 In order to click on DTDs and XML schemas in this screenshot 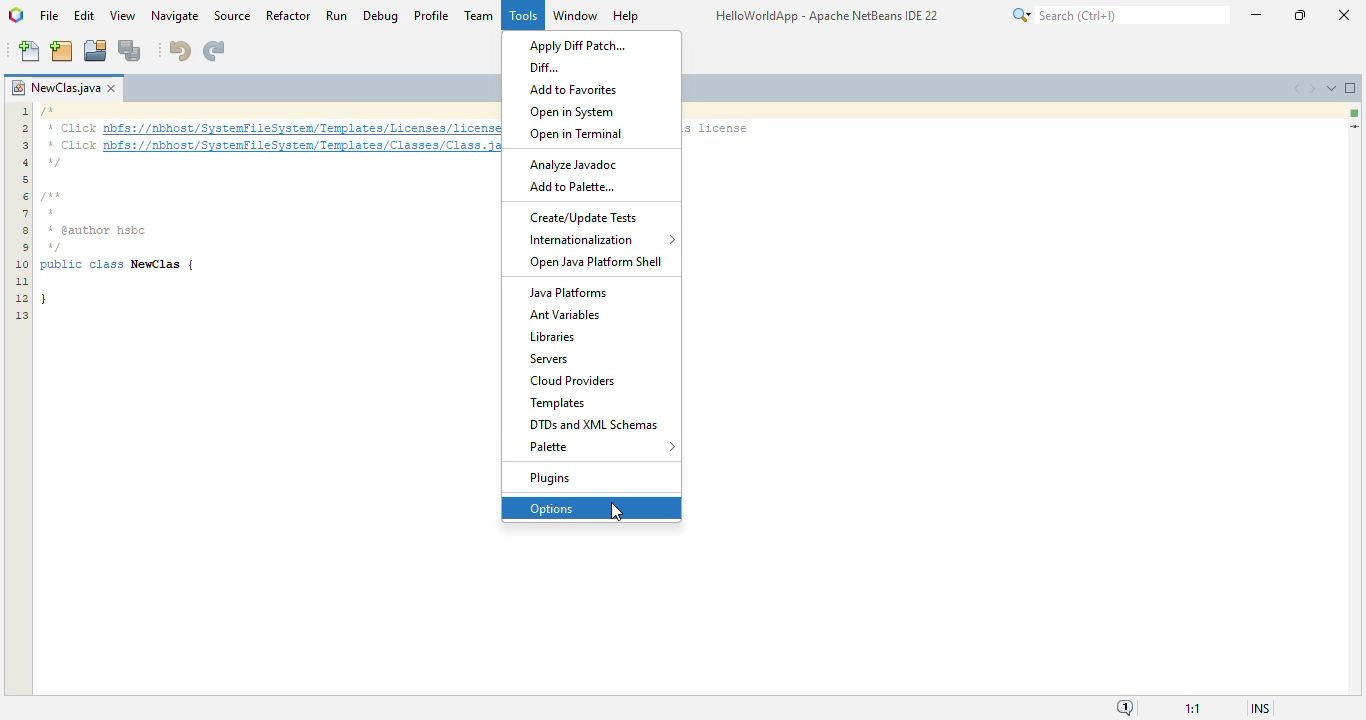, I will do `click(593, 425)`.